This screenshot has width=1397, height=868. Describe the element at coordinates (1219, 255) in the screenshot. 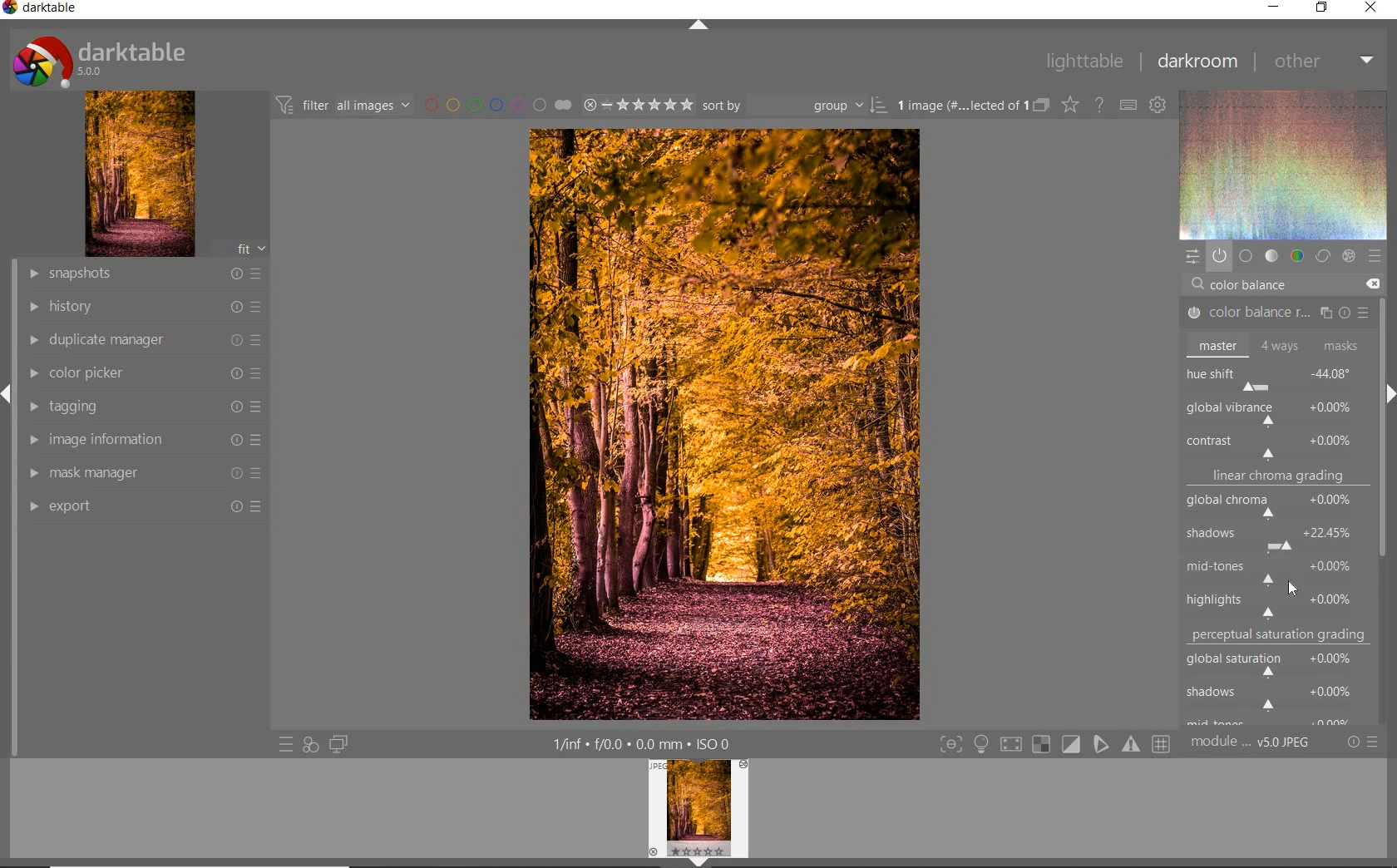

I see `show only active module` at that location.